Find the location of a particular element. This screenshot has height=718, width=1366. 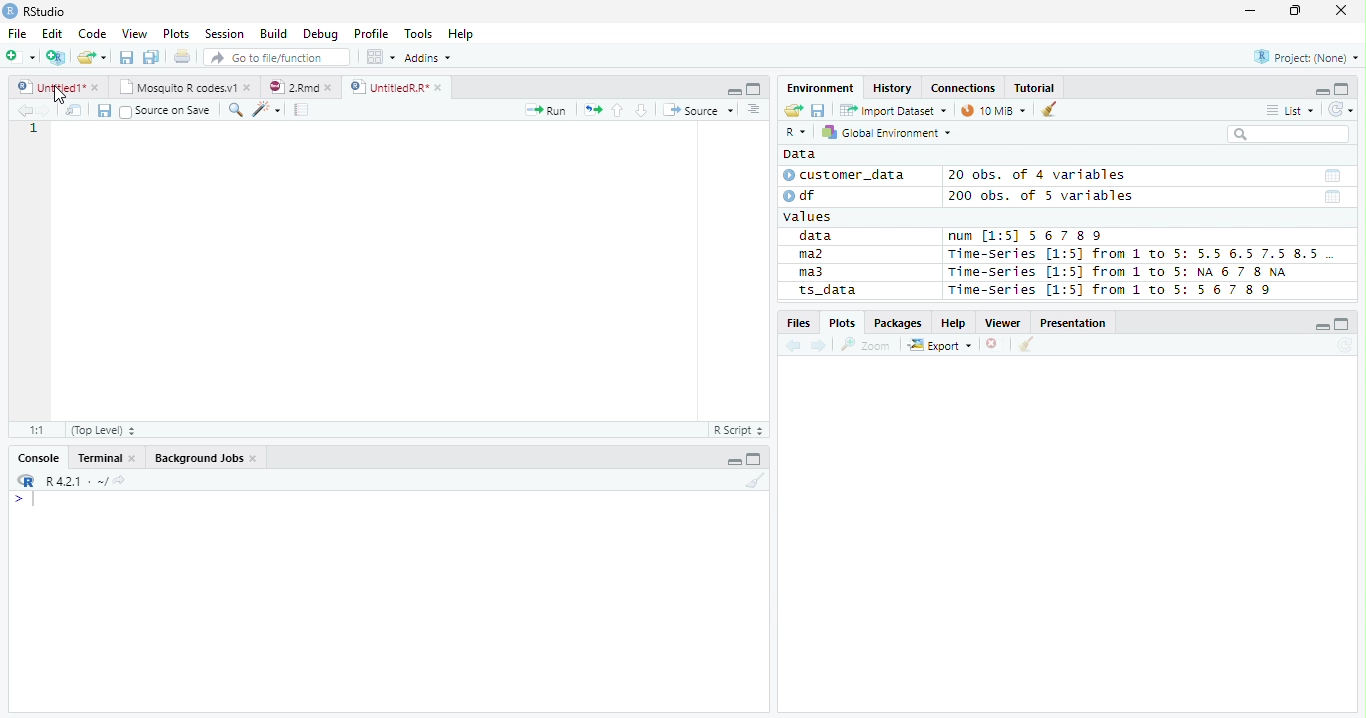

Save is located at coordinates (126, 56).